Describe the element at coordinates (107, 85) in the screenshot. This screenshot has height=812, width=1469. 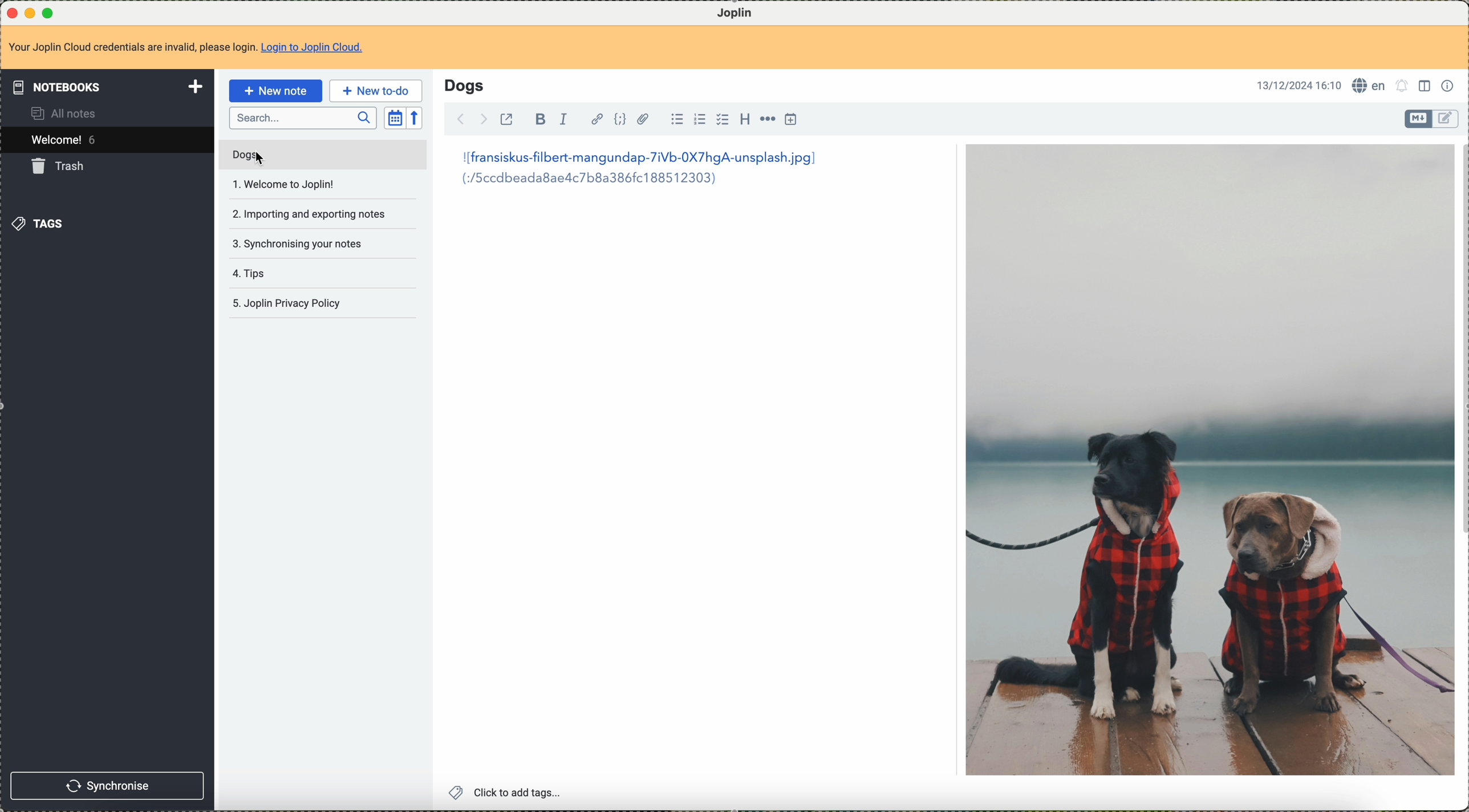
I see `notebooks` at that location.